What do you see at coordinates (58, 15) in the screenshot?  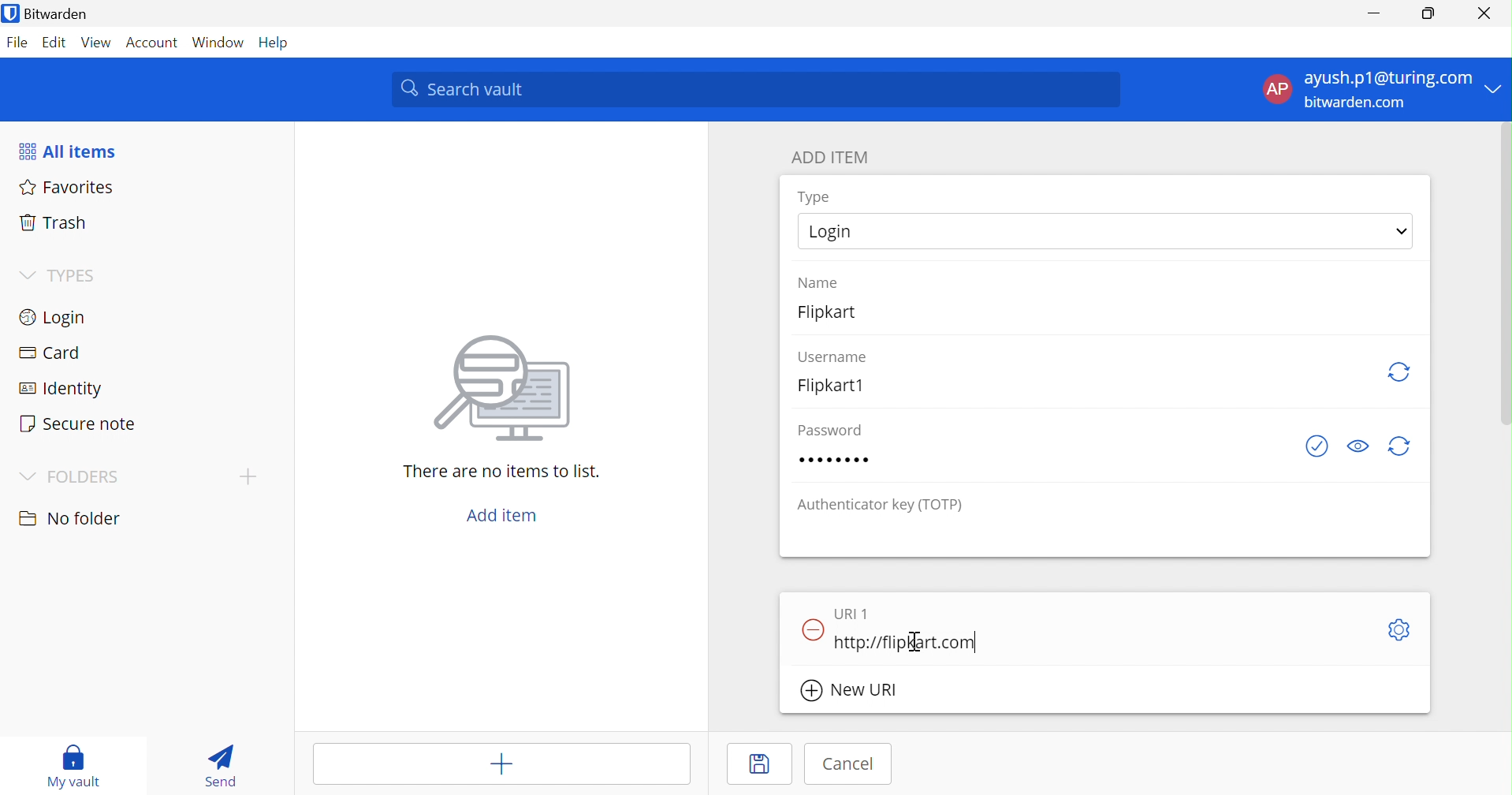 I see `Bitwarden` at bounding box center [58, 15].